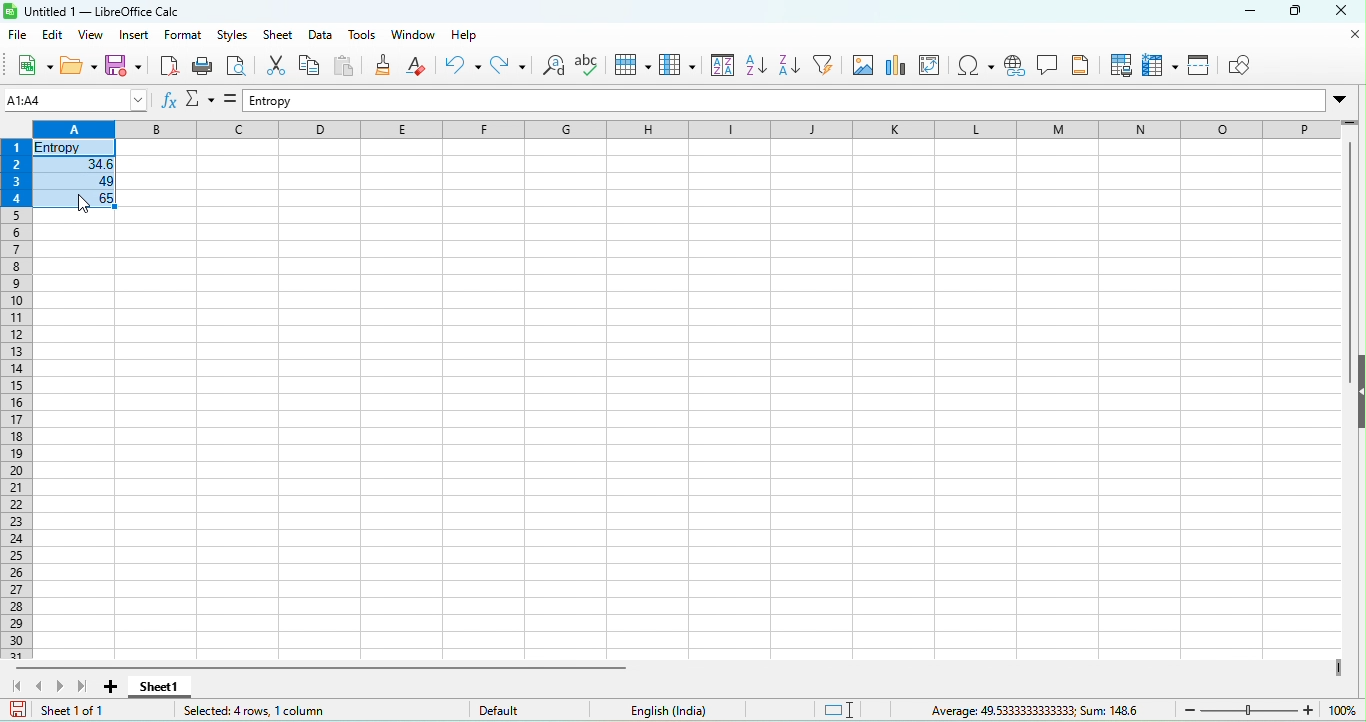  What do you see at coordinates (325, 709) in the screenshot?
I see `selected 4 rows ,1 column` at bounding box center [325, 709].